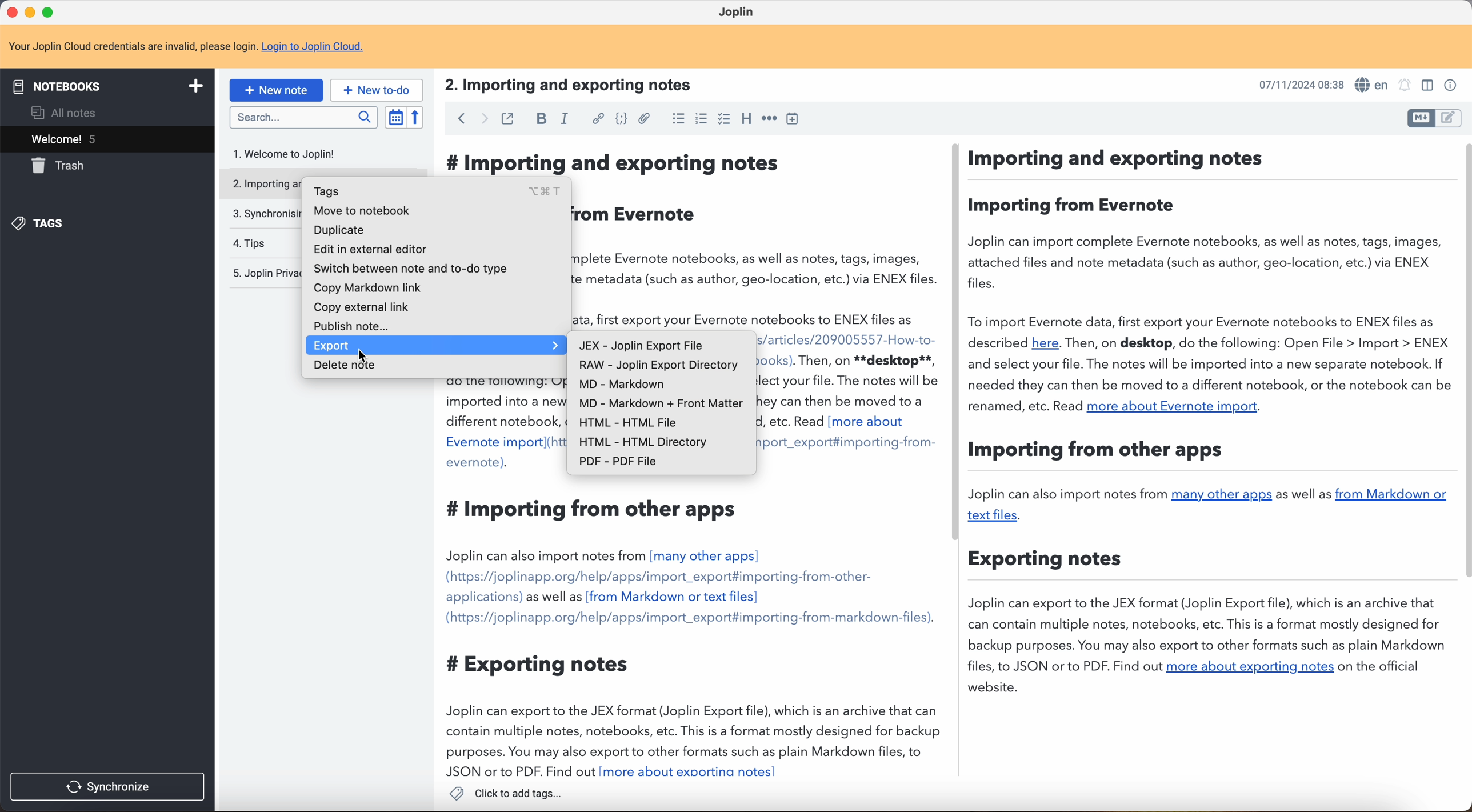 The height and width of the screenshot is (812, 1472). Describe the element at coordinates (109, 787) in the screenshot. I see `synchronize` at that location.